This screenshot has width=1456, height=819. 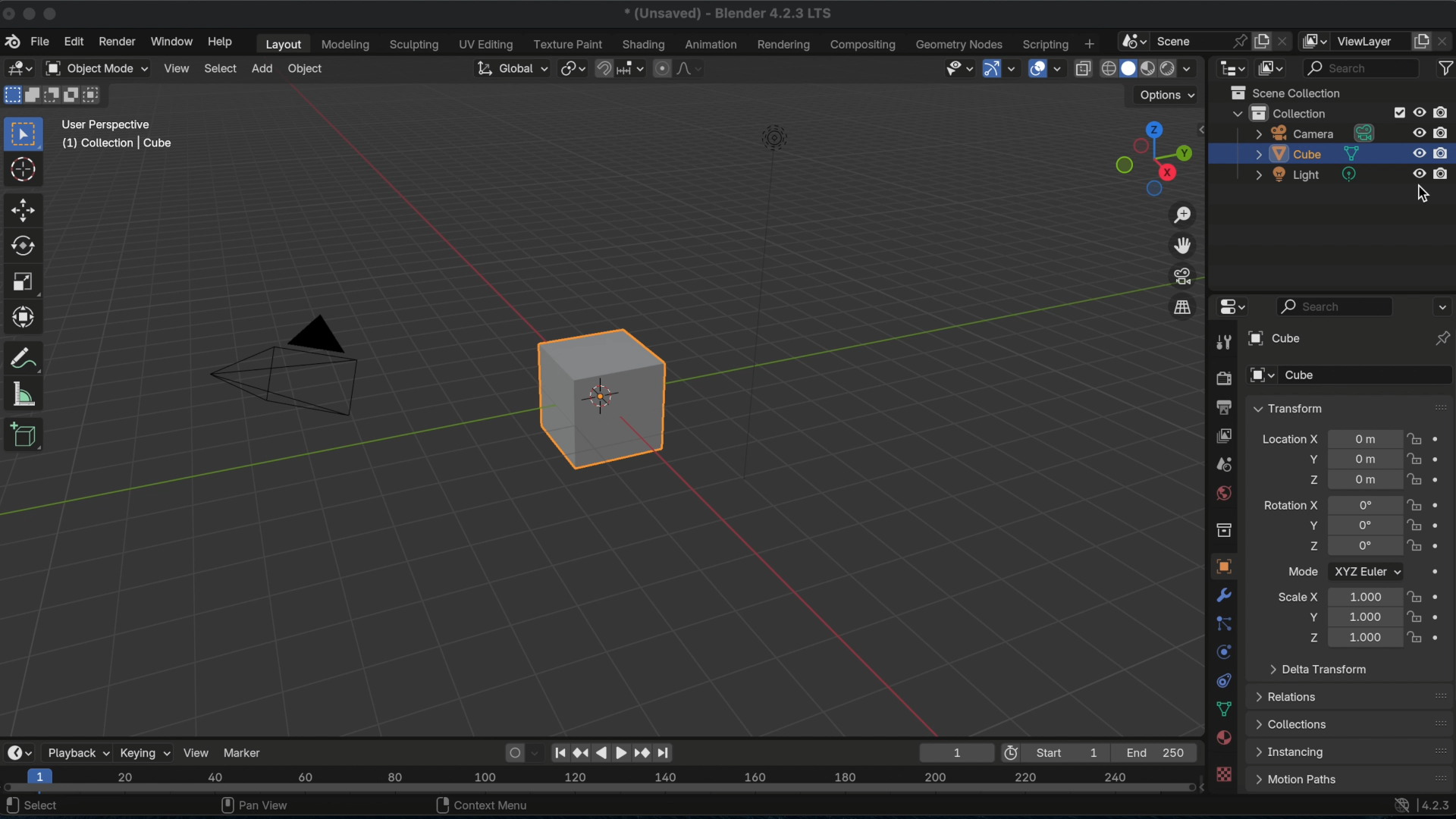 I want to click on file, so click(x=42, y=41).